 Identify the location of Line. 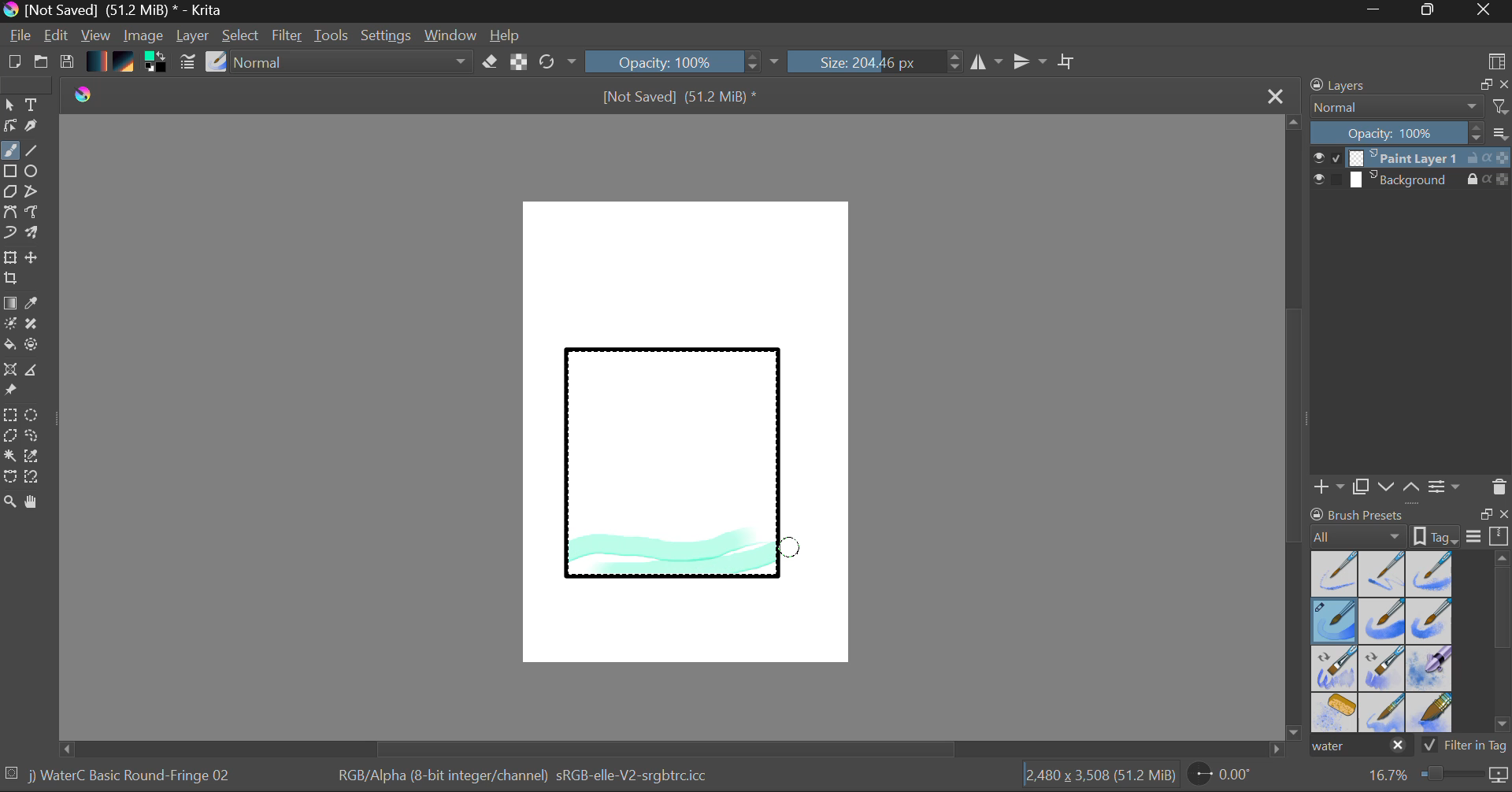
(32, 151).